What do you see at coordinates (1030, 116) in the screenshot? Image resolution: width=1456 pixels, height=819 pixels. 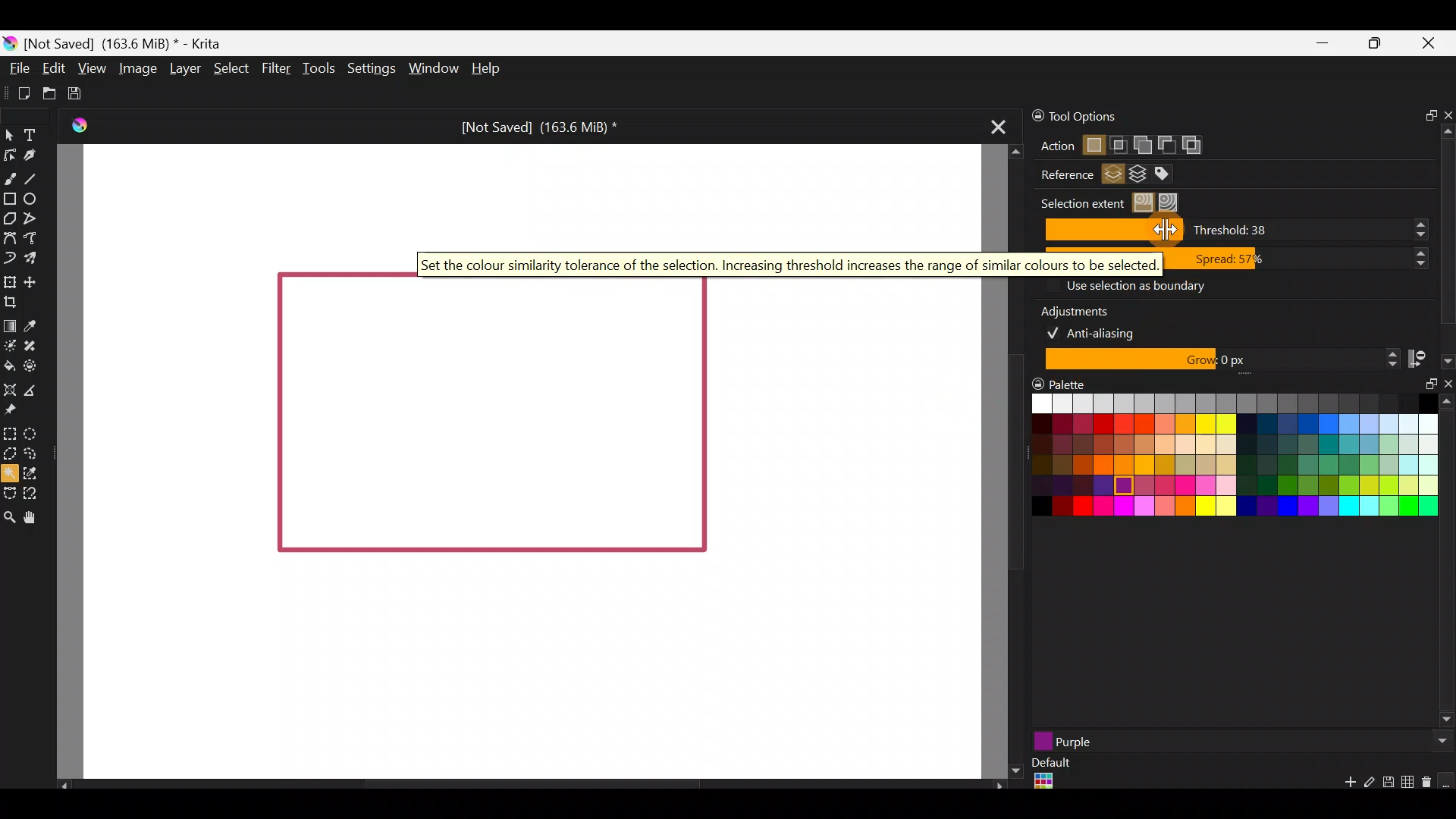 I see `Lock docker` at bounding box center [1030, 116].